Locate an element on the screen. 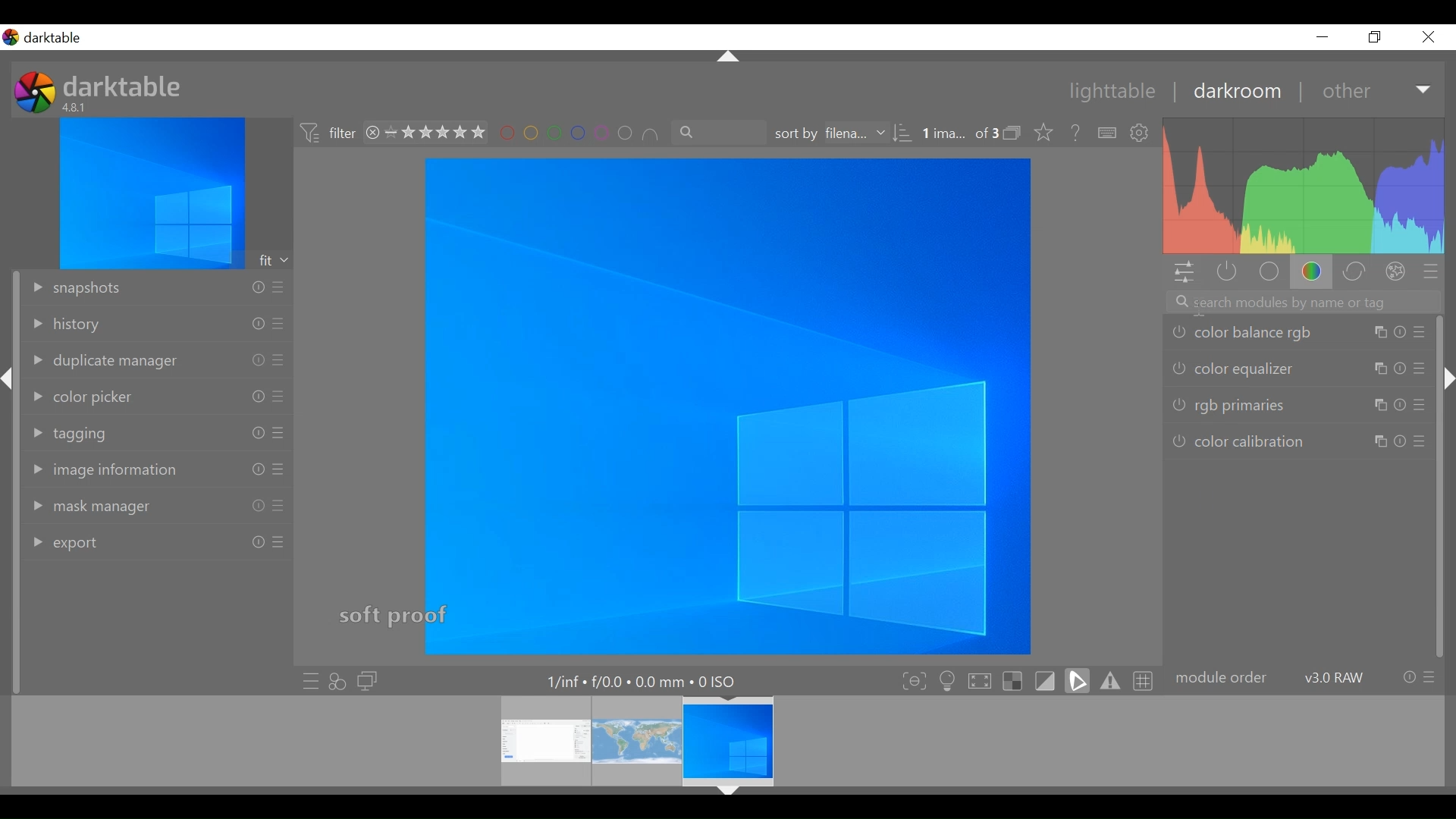 The width and height of the screenshot is (1456, 819). toggle clipping indication is located at coordinates (1078, 679).